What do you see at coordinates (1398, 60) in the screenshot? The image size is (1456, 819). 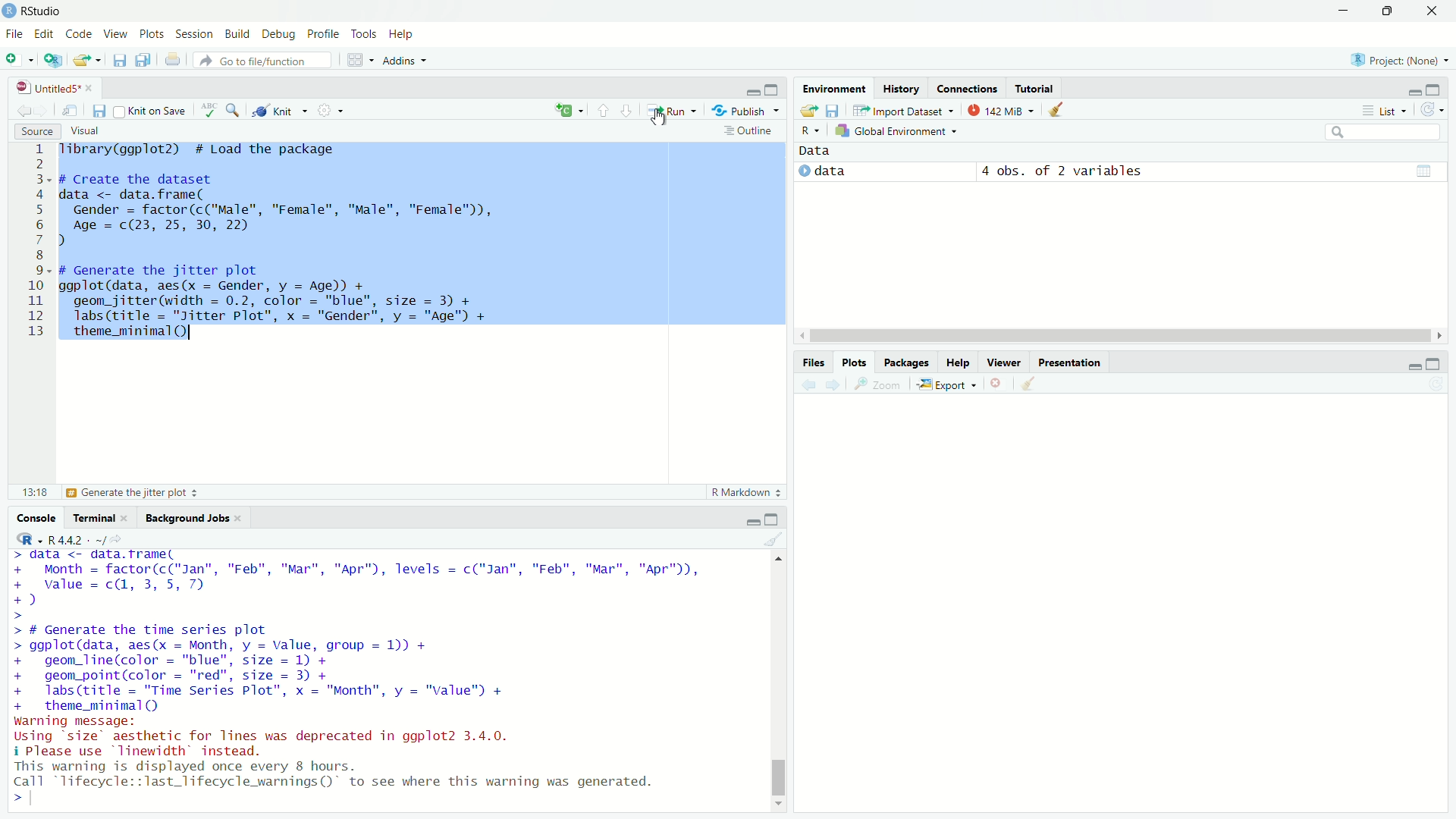 I see `project: (None)` at bounding box center [1398, 60].